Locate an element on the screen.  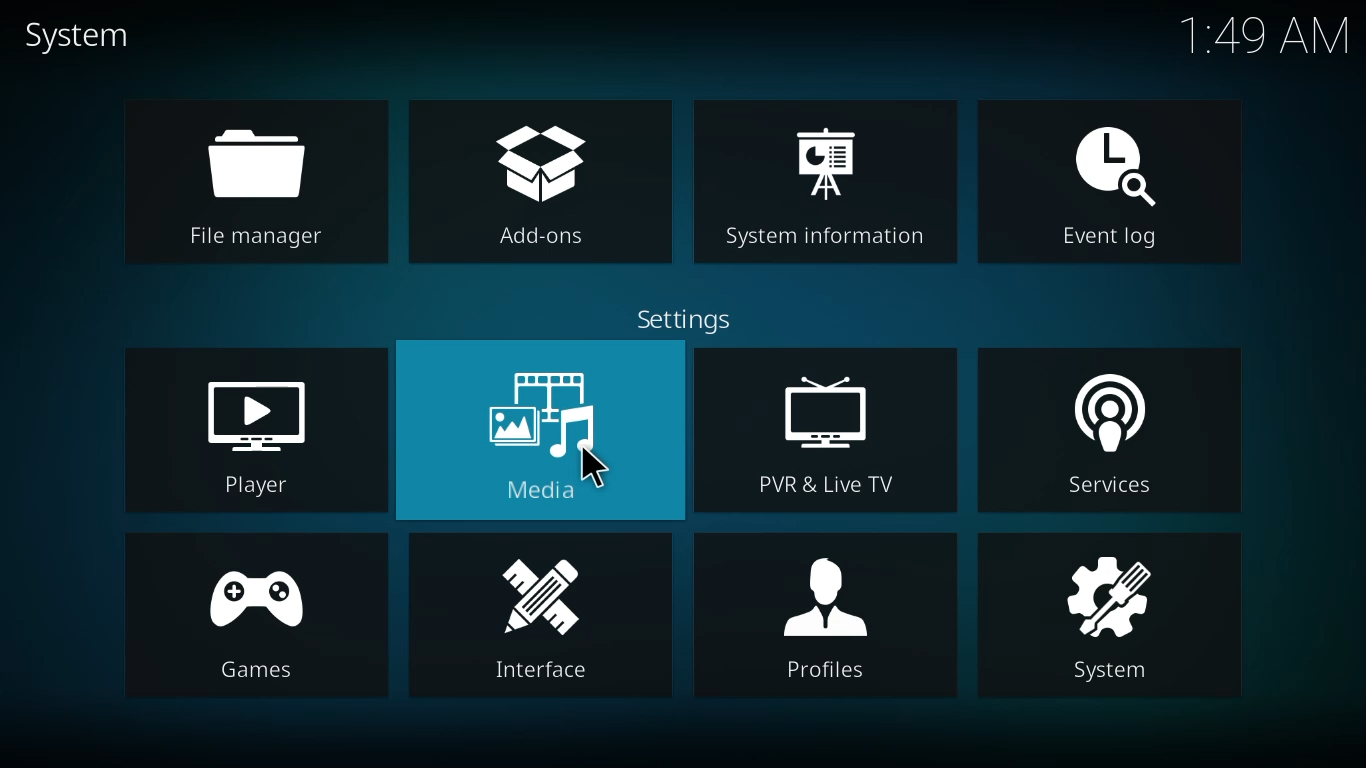
add-ons is located at coordinates (546, 186).